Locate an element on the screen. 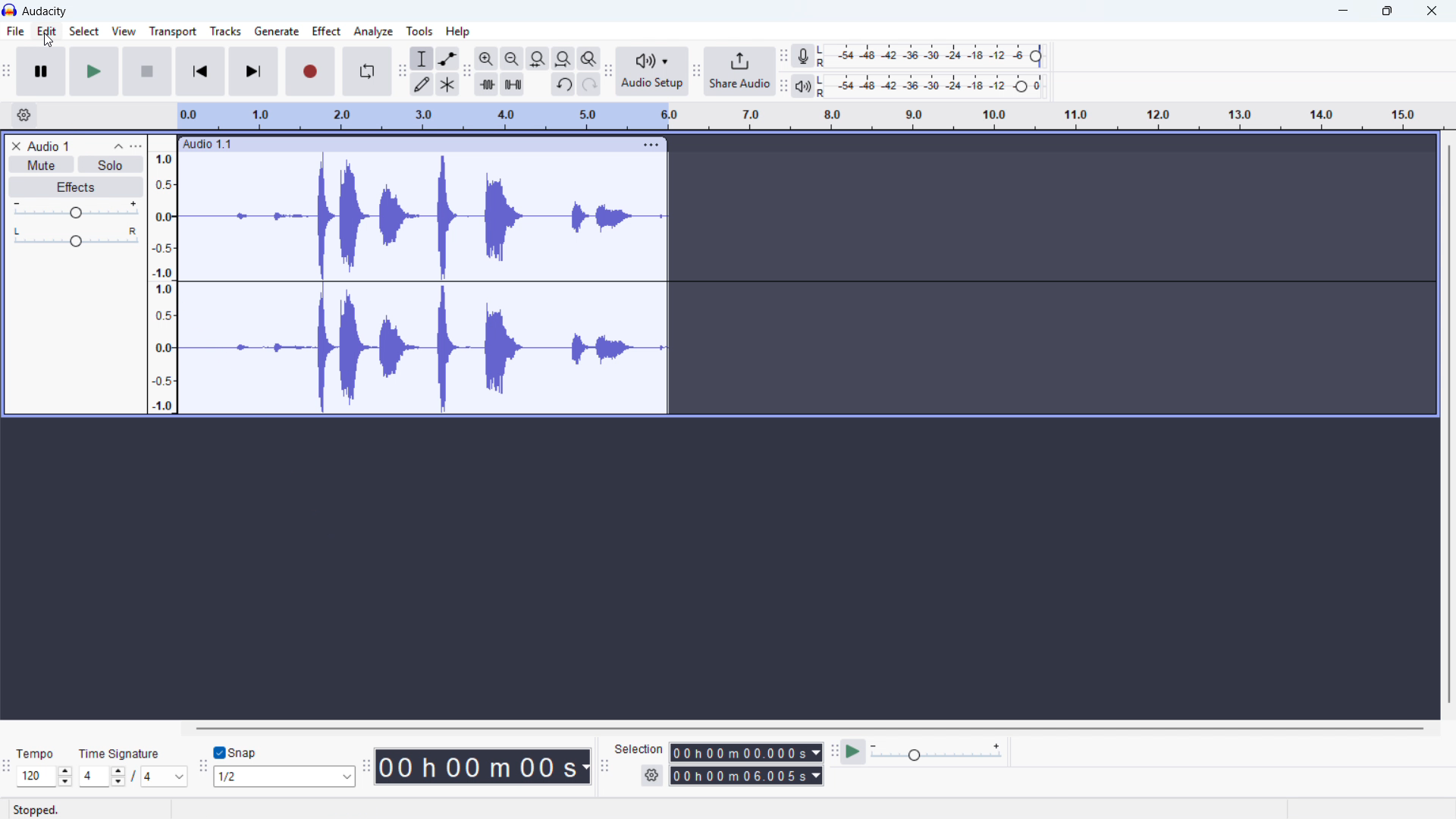 The width and height of the screenshot is (1456, 819). fit selection to width is located at coordinates (538, 58).